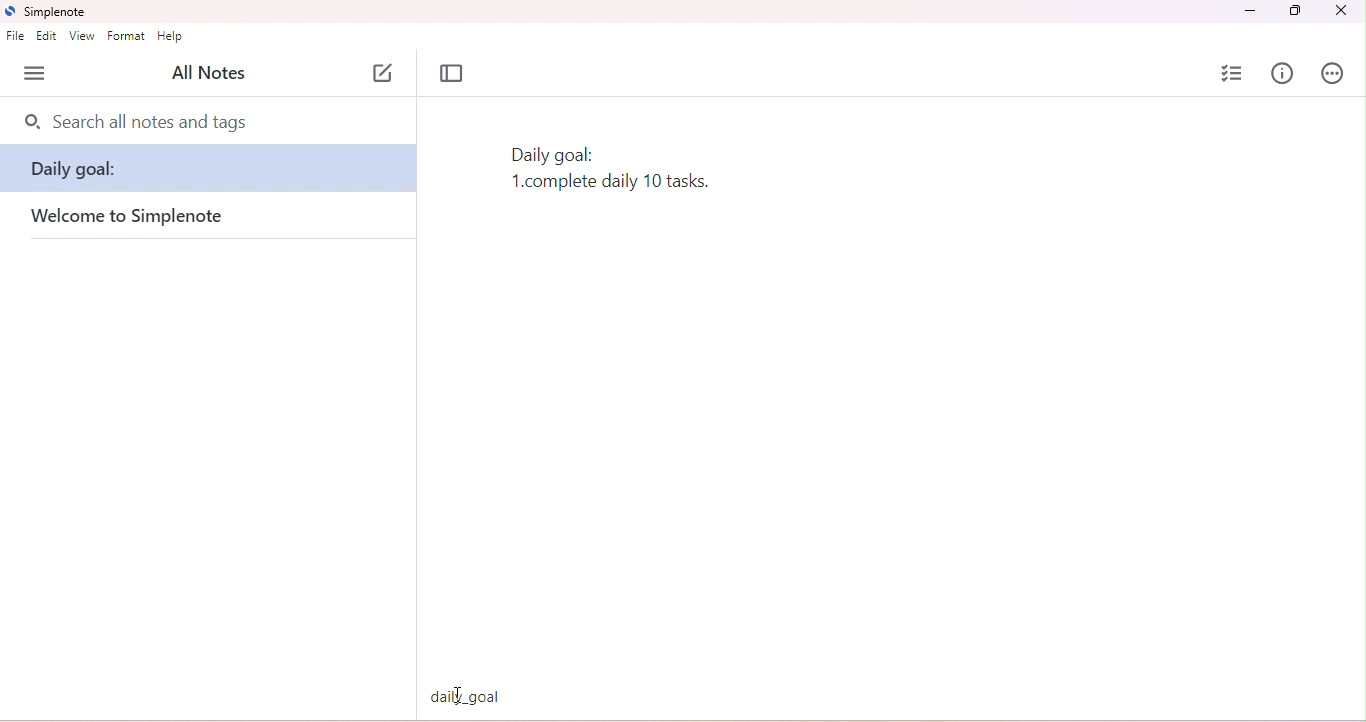  What do you see at coordinates (460, 695) in the screenshot?
I see `typing cursor` at bounding box center [460, 695].